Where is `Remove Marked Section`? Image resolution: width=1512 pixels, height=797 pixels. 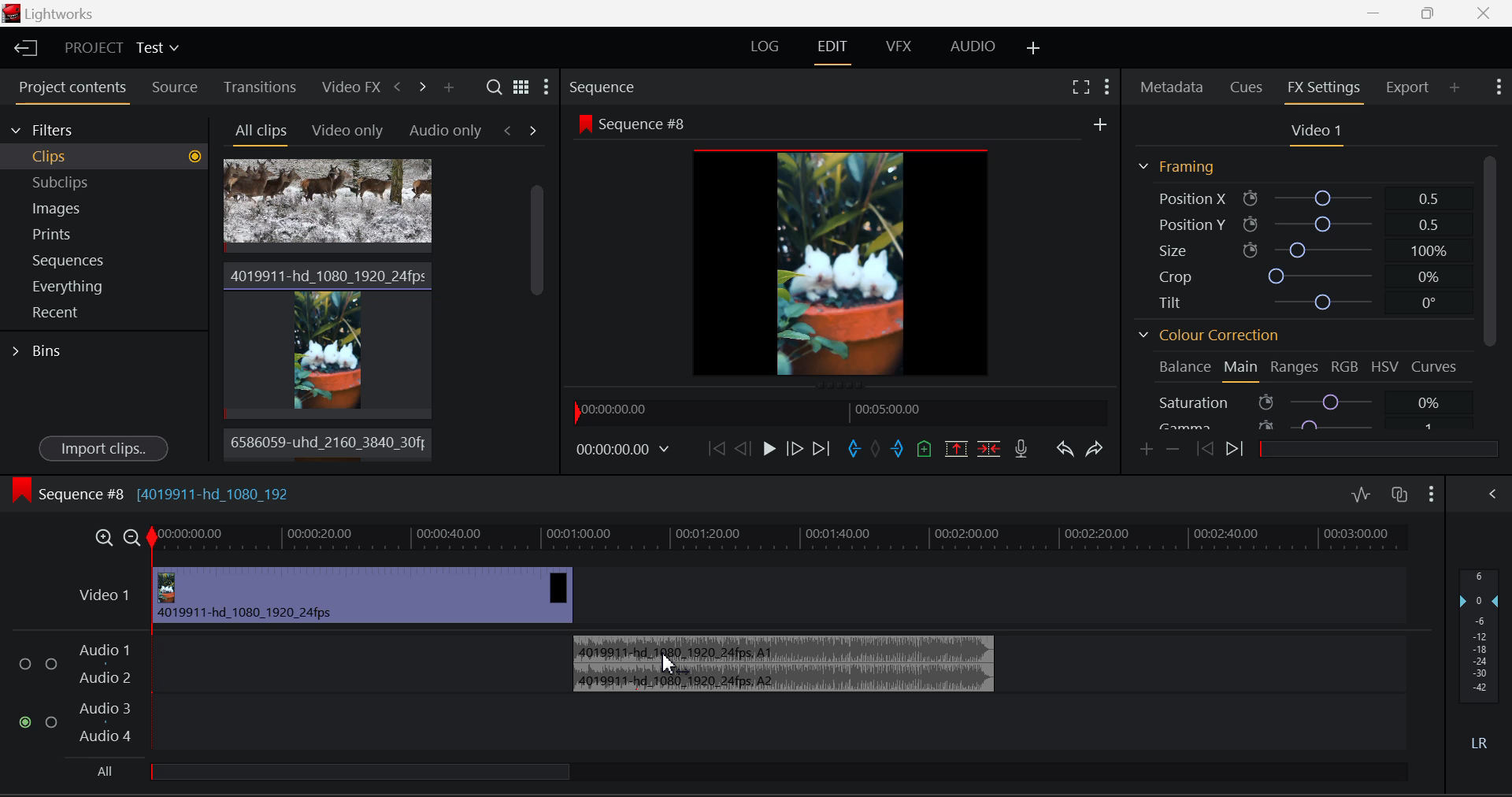 Remove Marked Section is located at coordinates (958, 447).